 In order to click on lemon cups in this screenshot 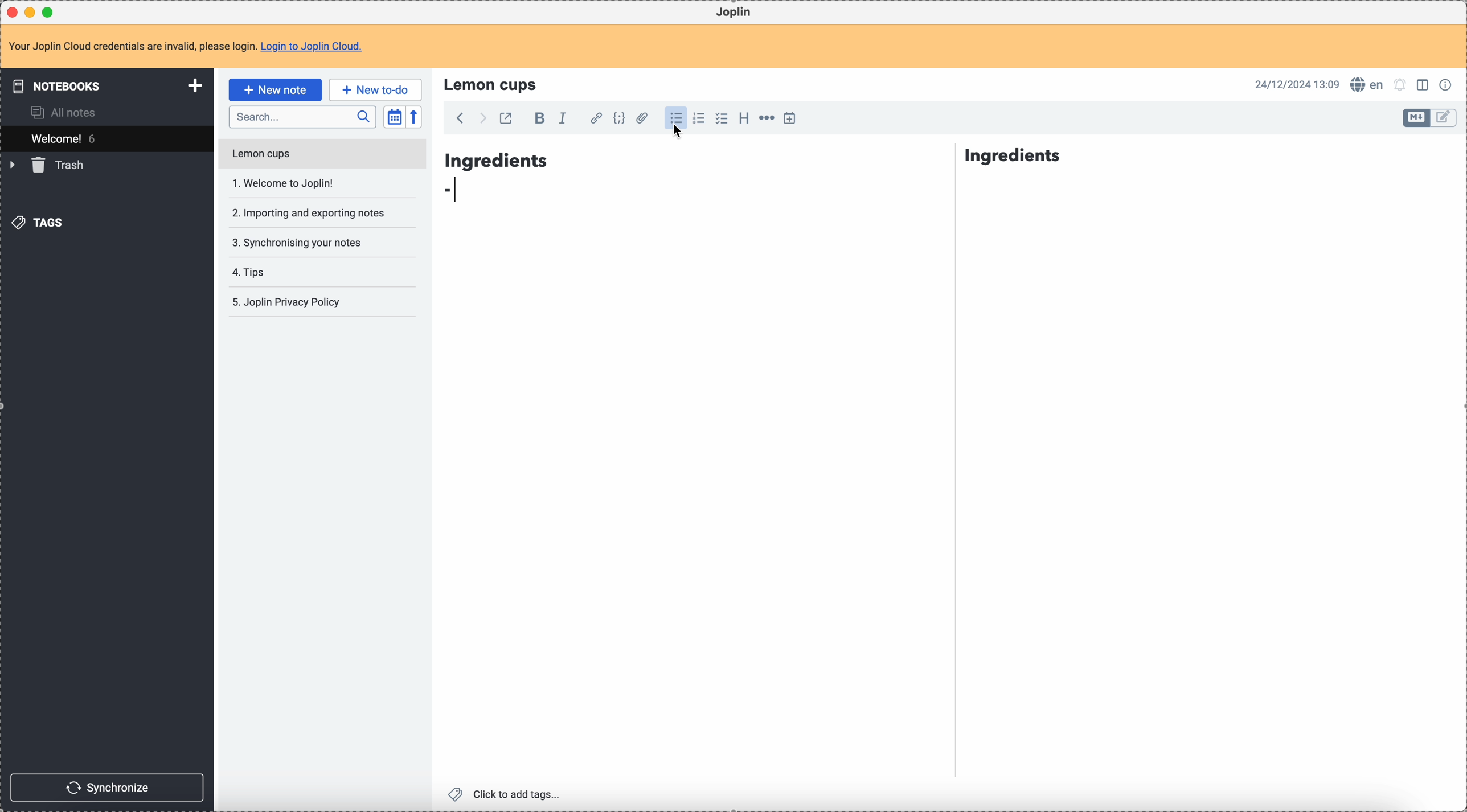, I will do `click(321, 156)`.